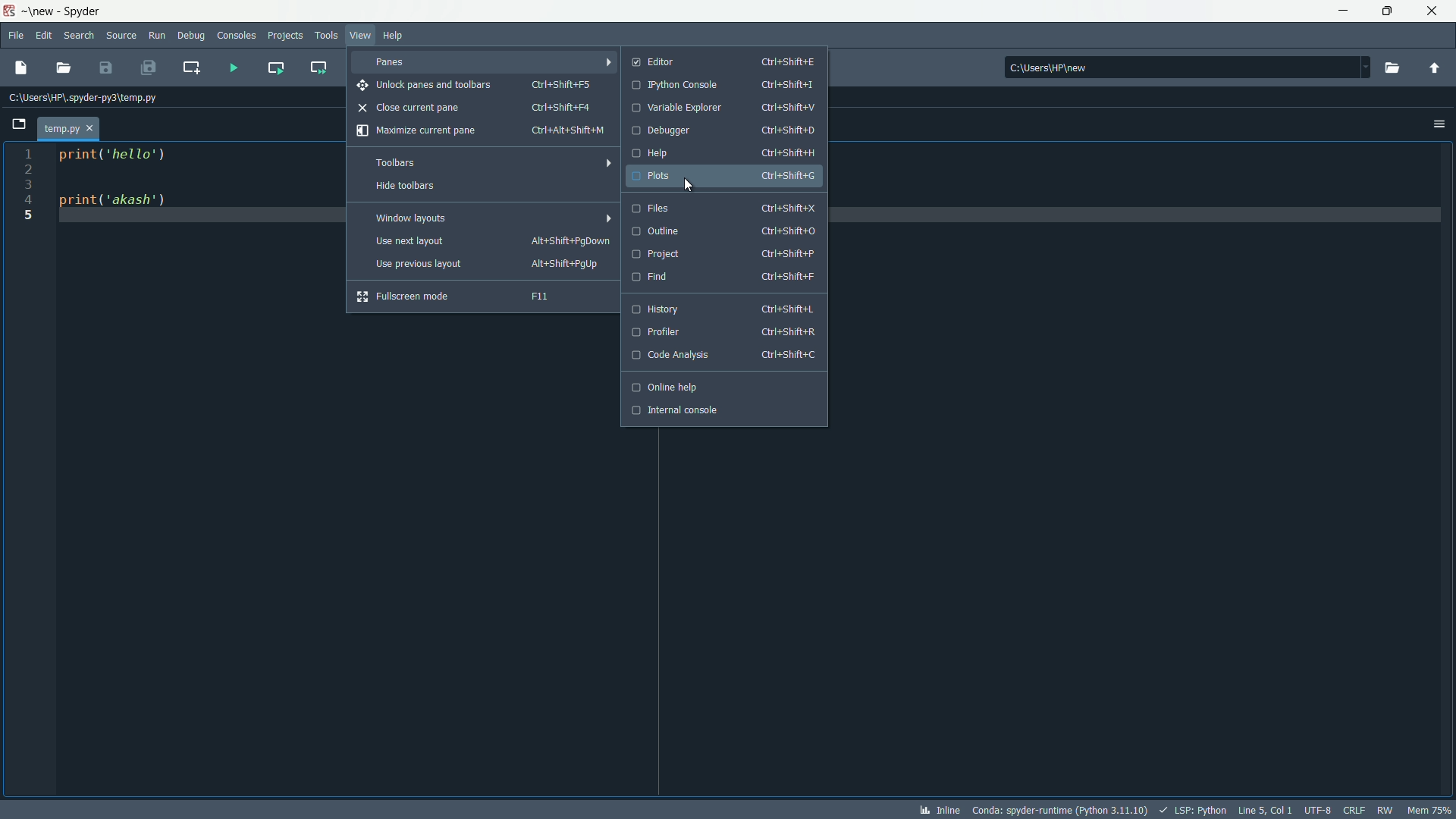  Describe the element at coordinates (1434, 11) in the screenshot. I see `close` at that location.